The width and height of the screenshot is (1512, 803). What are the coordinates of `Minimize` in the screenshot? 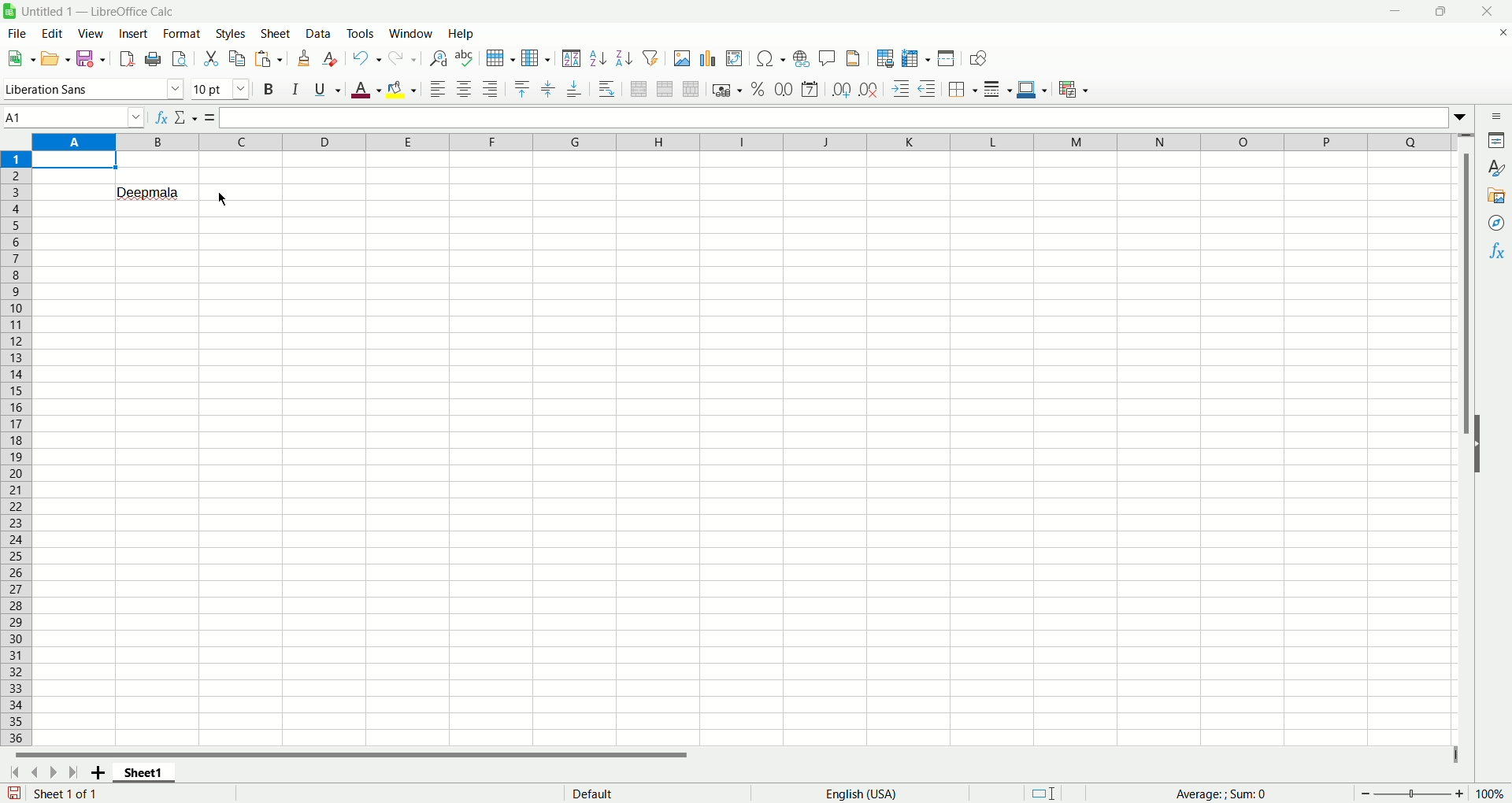 It's located at (1402, 9).